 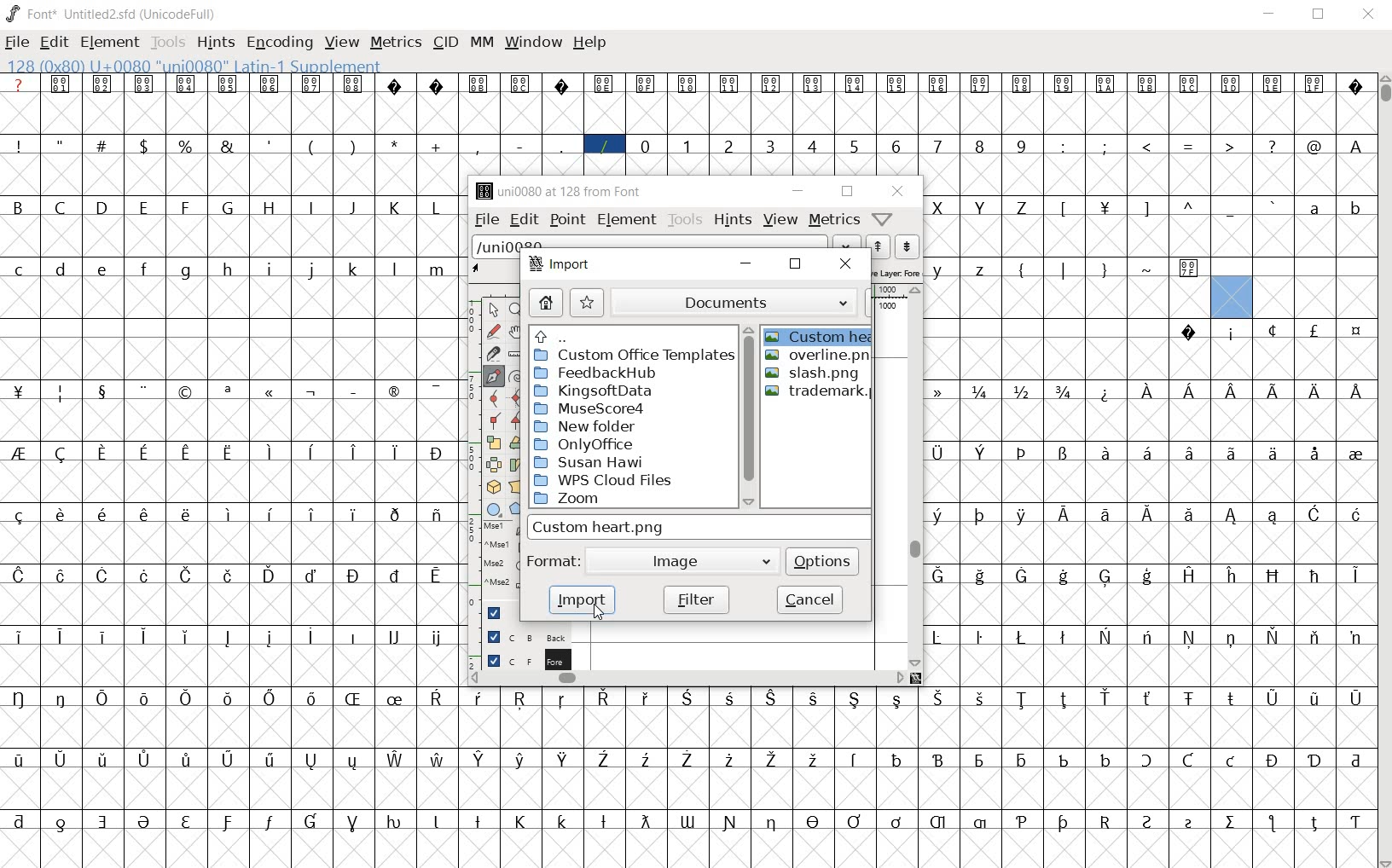 I want to click on glyph, so click(x=311, y=452).